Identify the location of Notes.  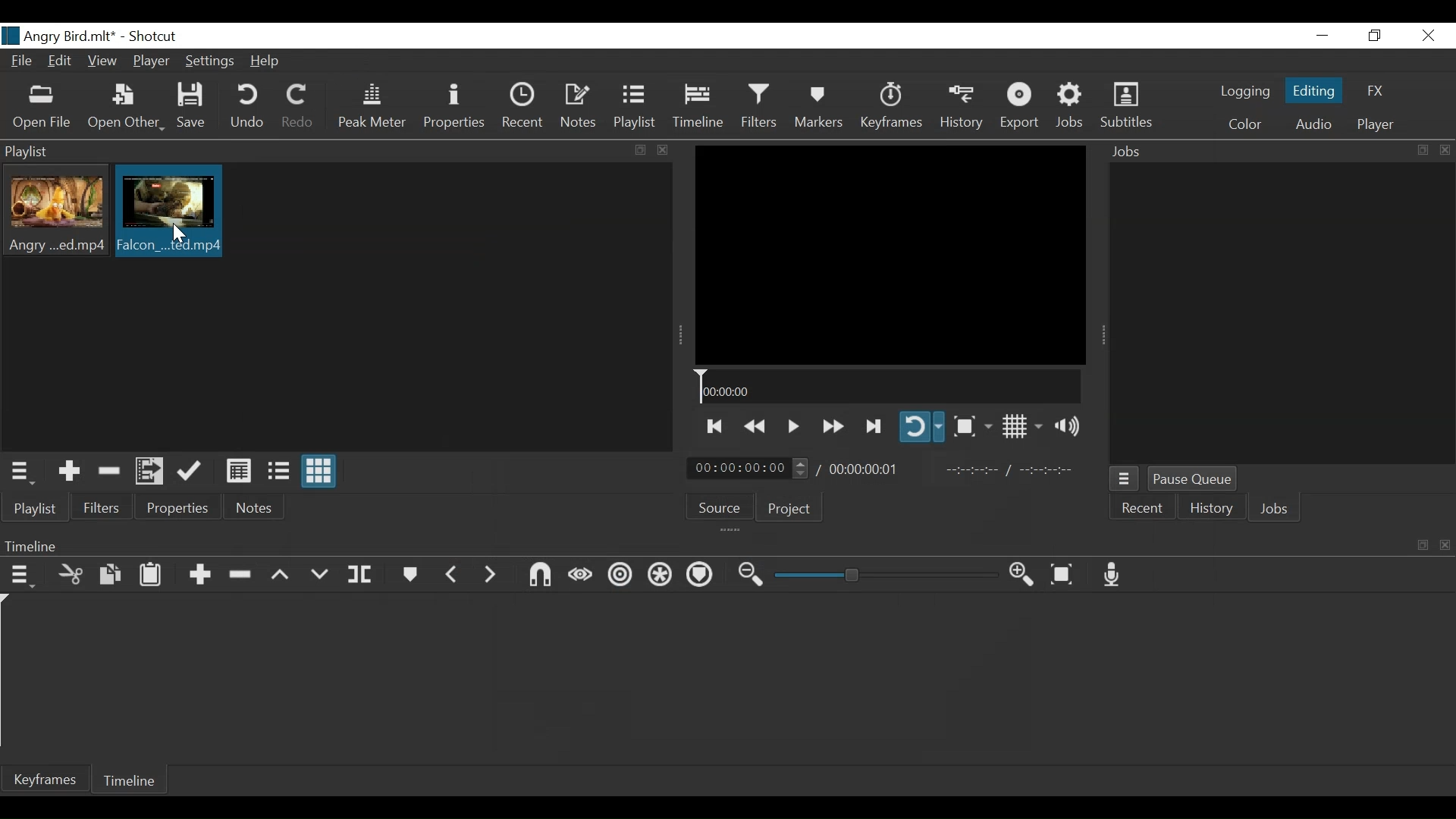
(579, 106).